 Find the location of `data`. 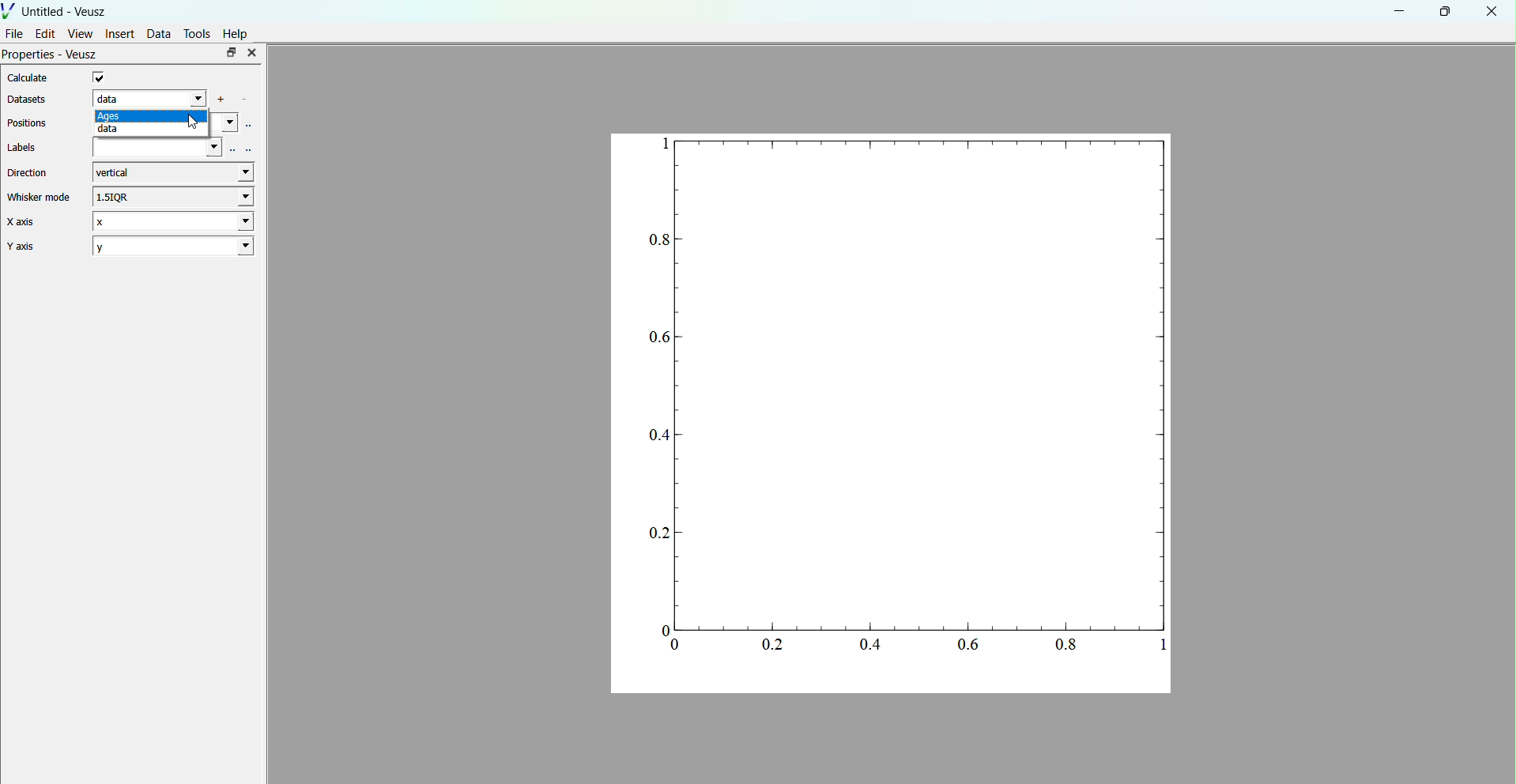

data is located at coordinates (150, 98).